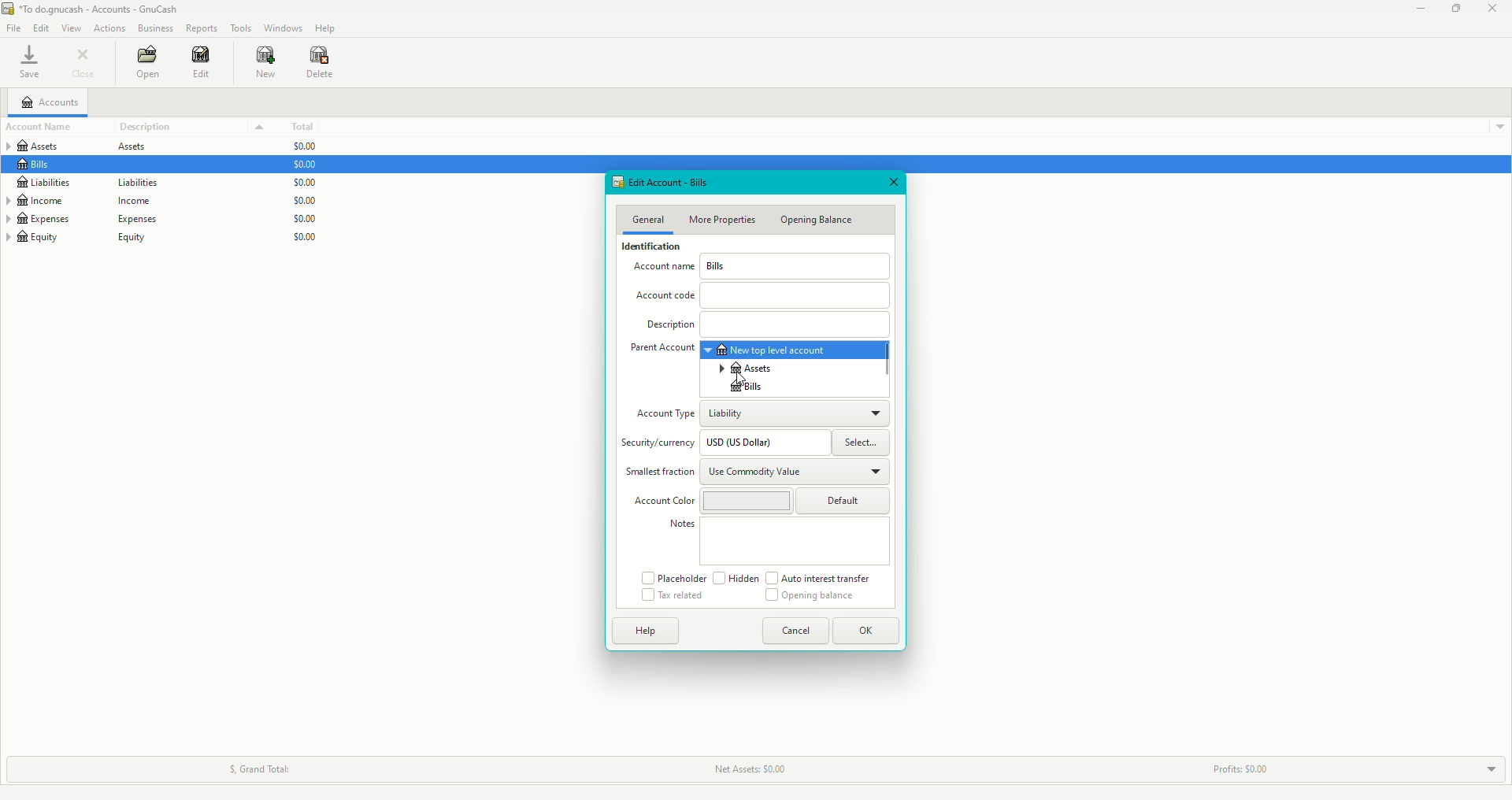  I want to click on Tools, so click(243, 28).